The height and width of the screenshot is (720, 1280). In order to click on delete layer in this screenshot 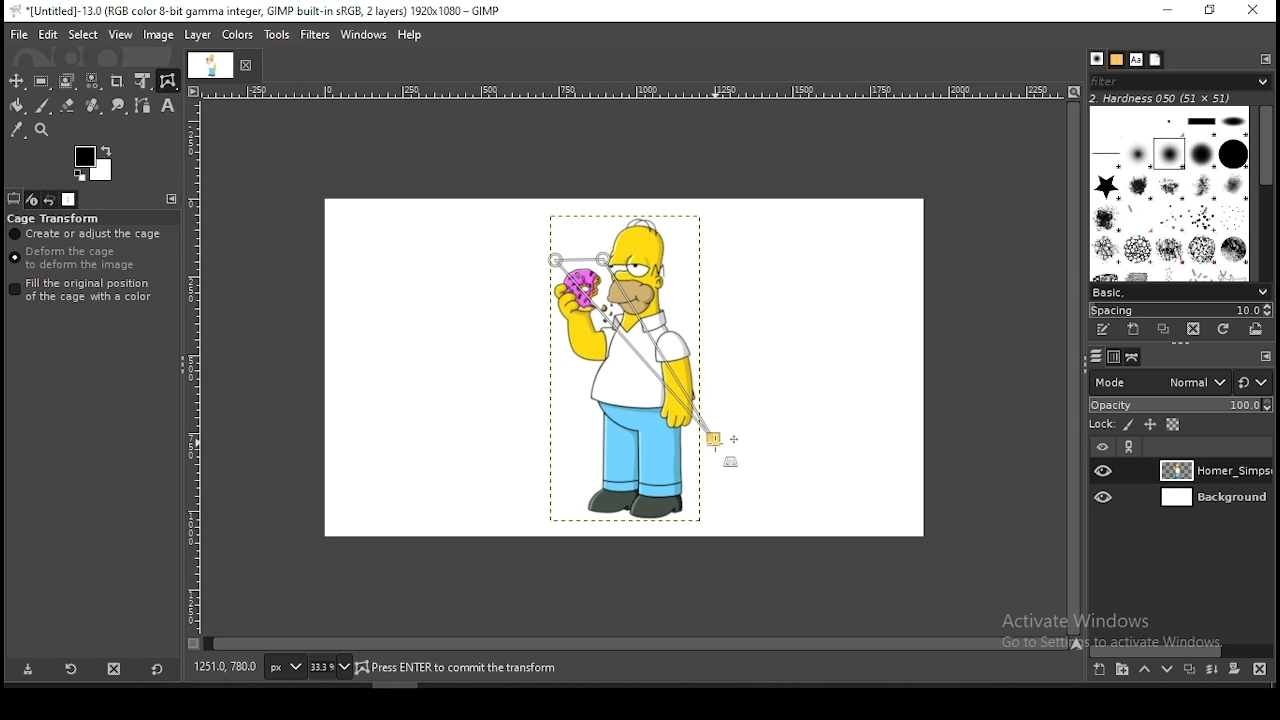, I will do `click(1257, 669)`.